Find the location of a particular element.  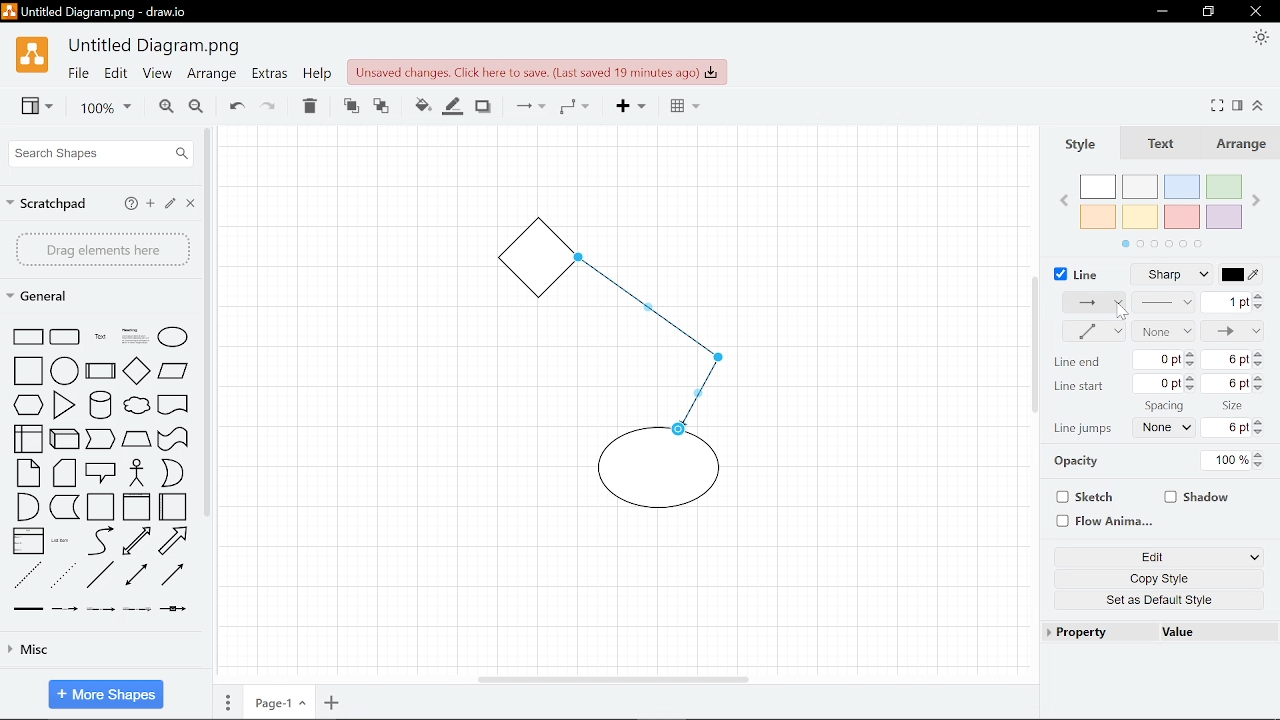

shape is located at coordinates (100, 611).